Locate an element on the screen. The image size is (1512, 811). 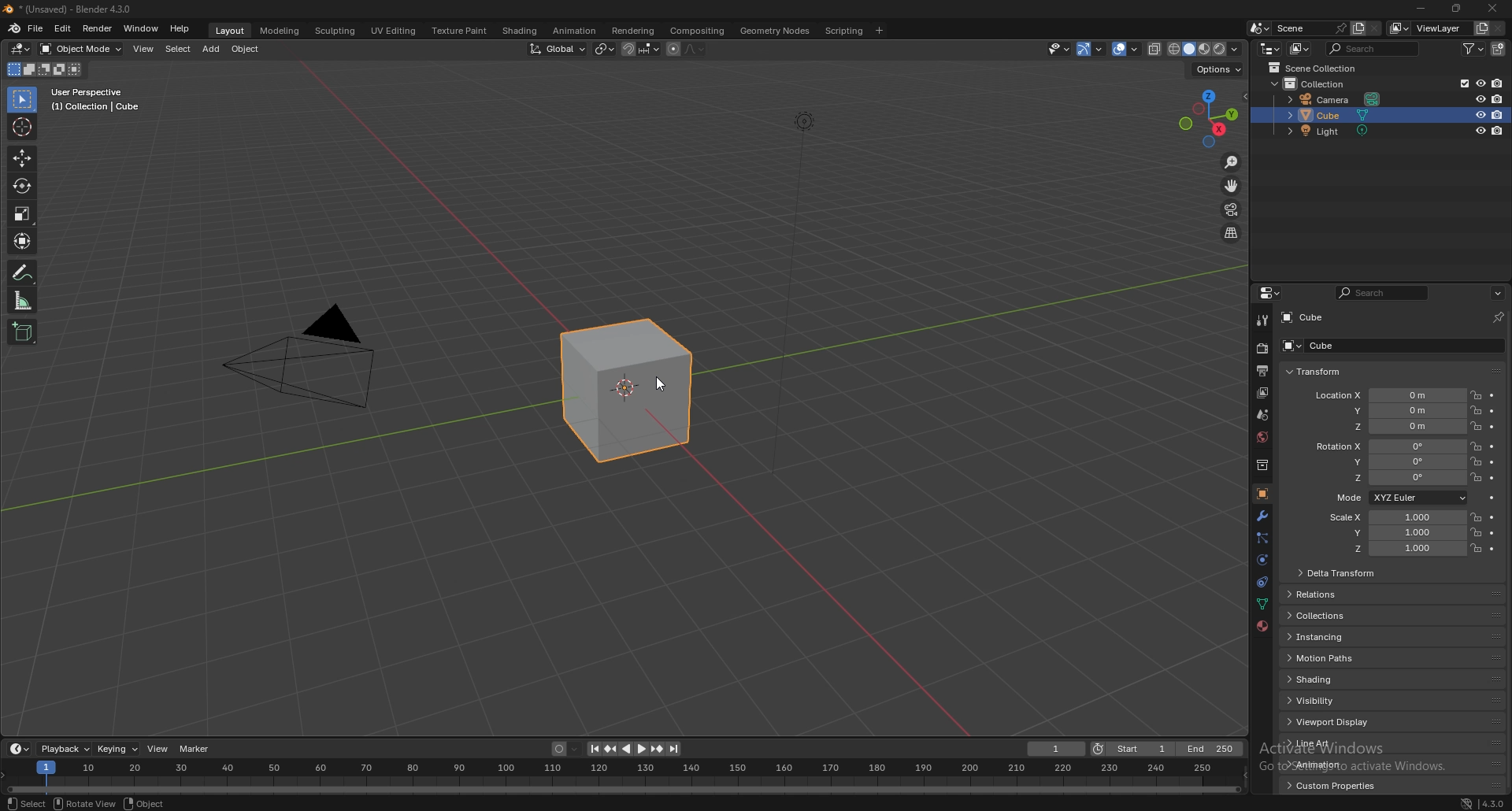
uv editing is located at coordinates (395, 31).